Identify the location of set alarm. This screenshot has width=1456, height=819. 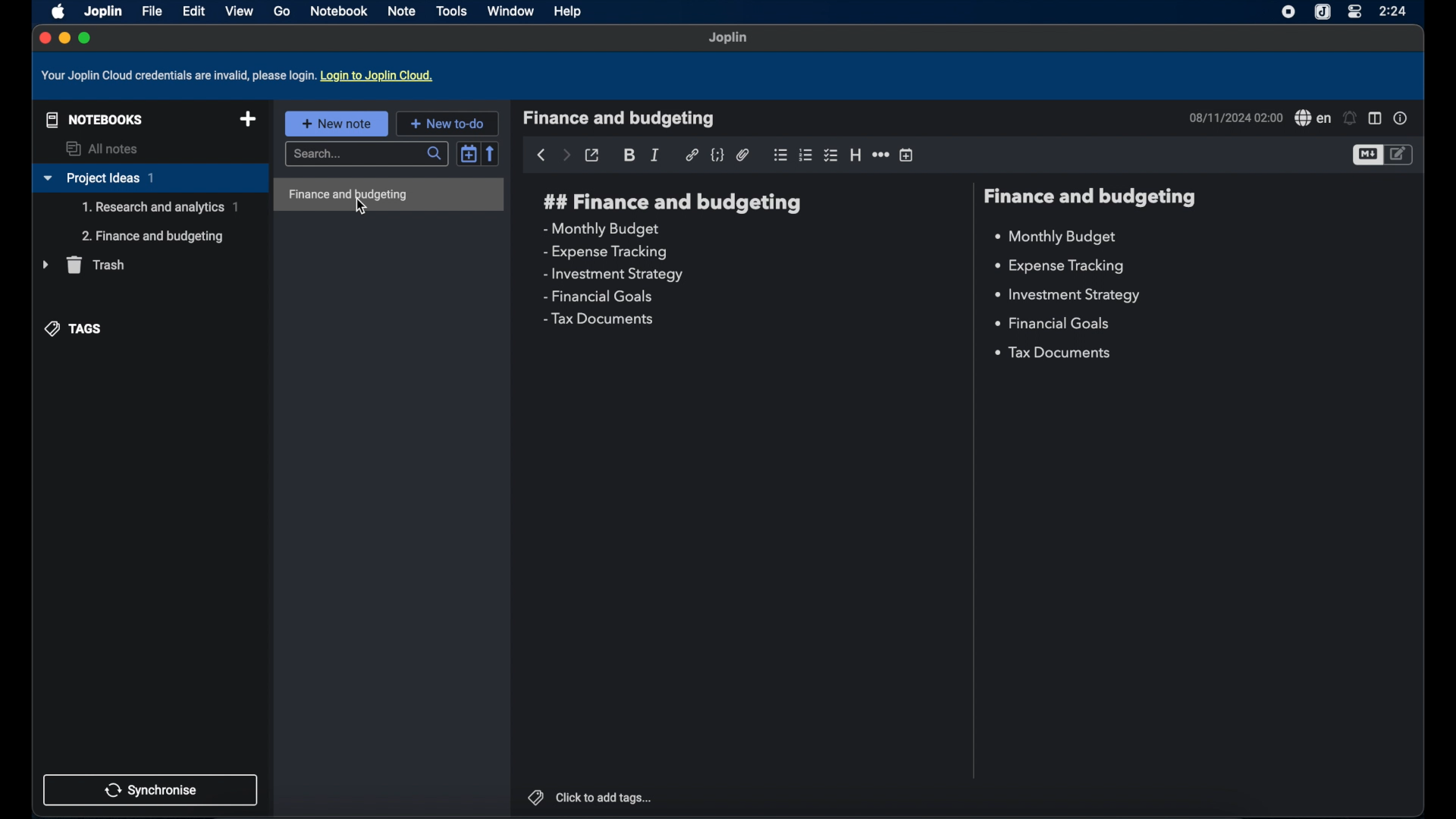
(1351, 118).